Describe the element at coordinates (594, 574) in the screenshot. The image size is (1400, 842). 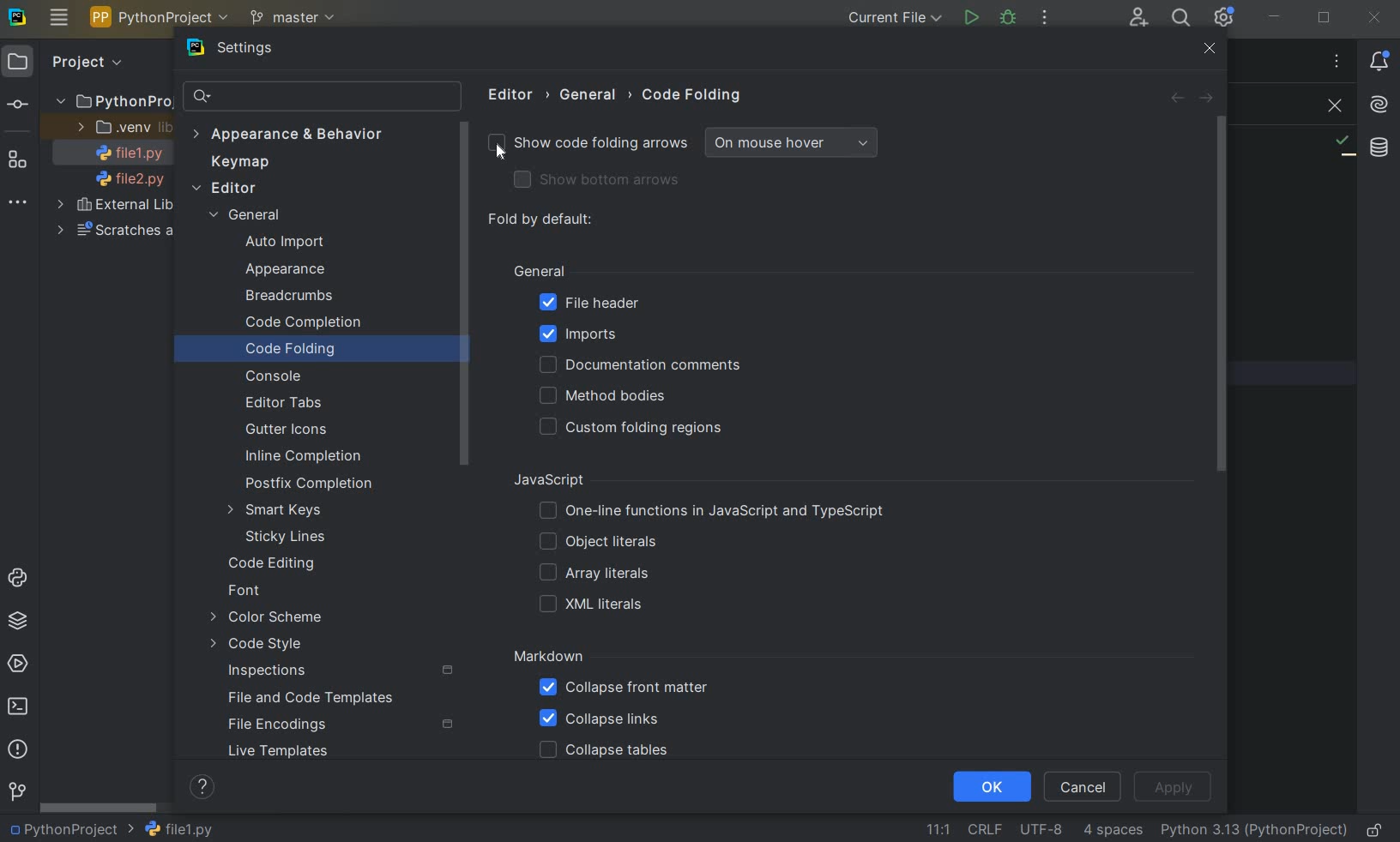
I see `ARRAY LITERALS` at that location.